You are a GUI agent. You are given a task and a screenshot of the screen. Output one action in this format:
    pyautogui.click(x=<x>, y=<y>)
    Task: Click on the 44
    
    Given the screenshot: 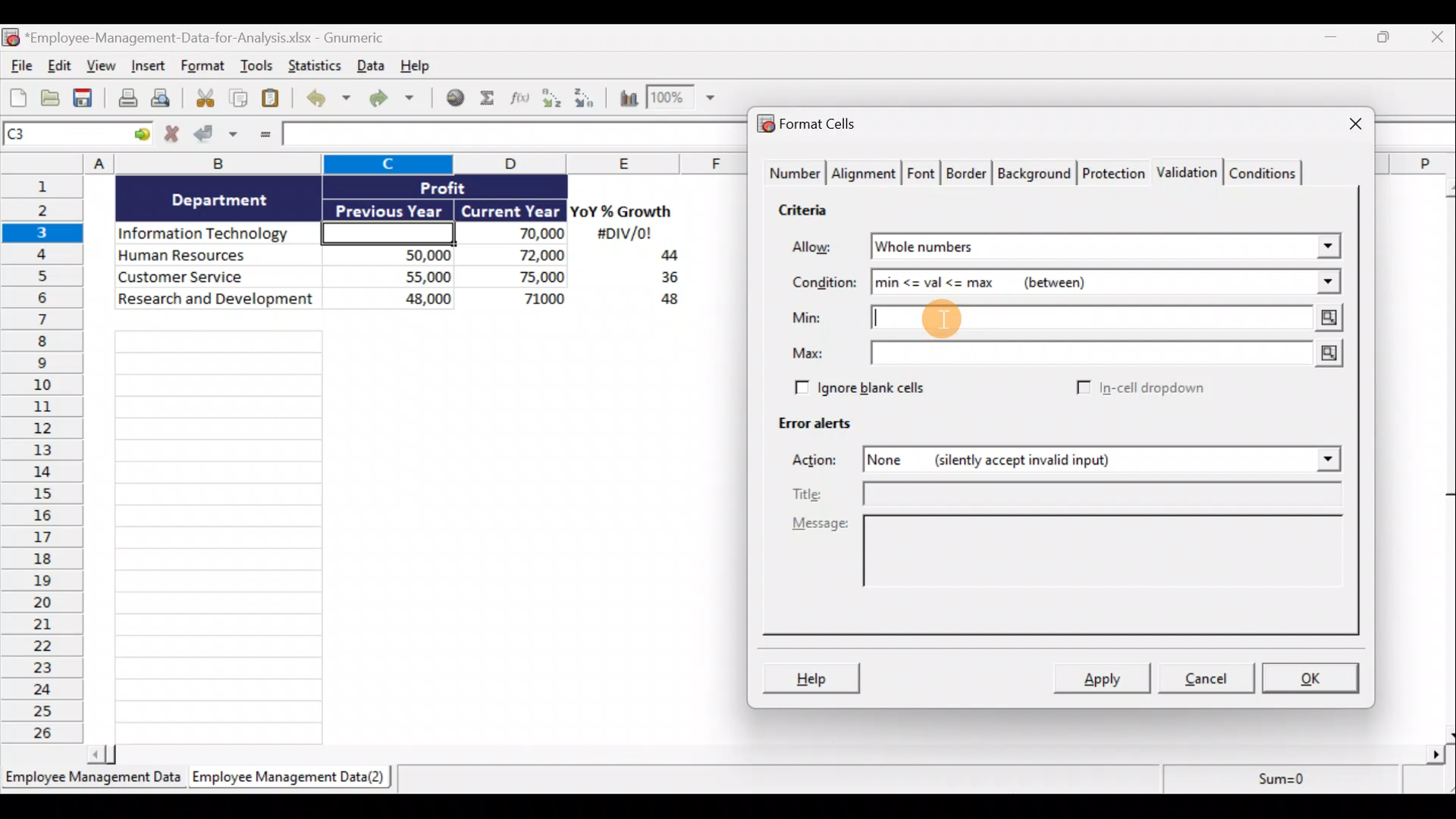 What is the action you would take?
    pyautogui.click(x=661, y=257)
    